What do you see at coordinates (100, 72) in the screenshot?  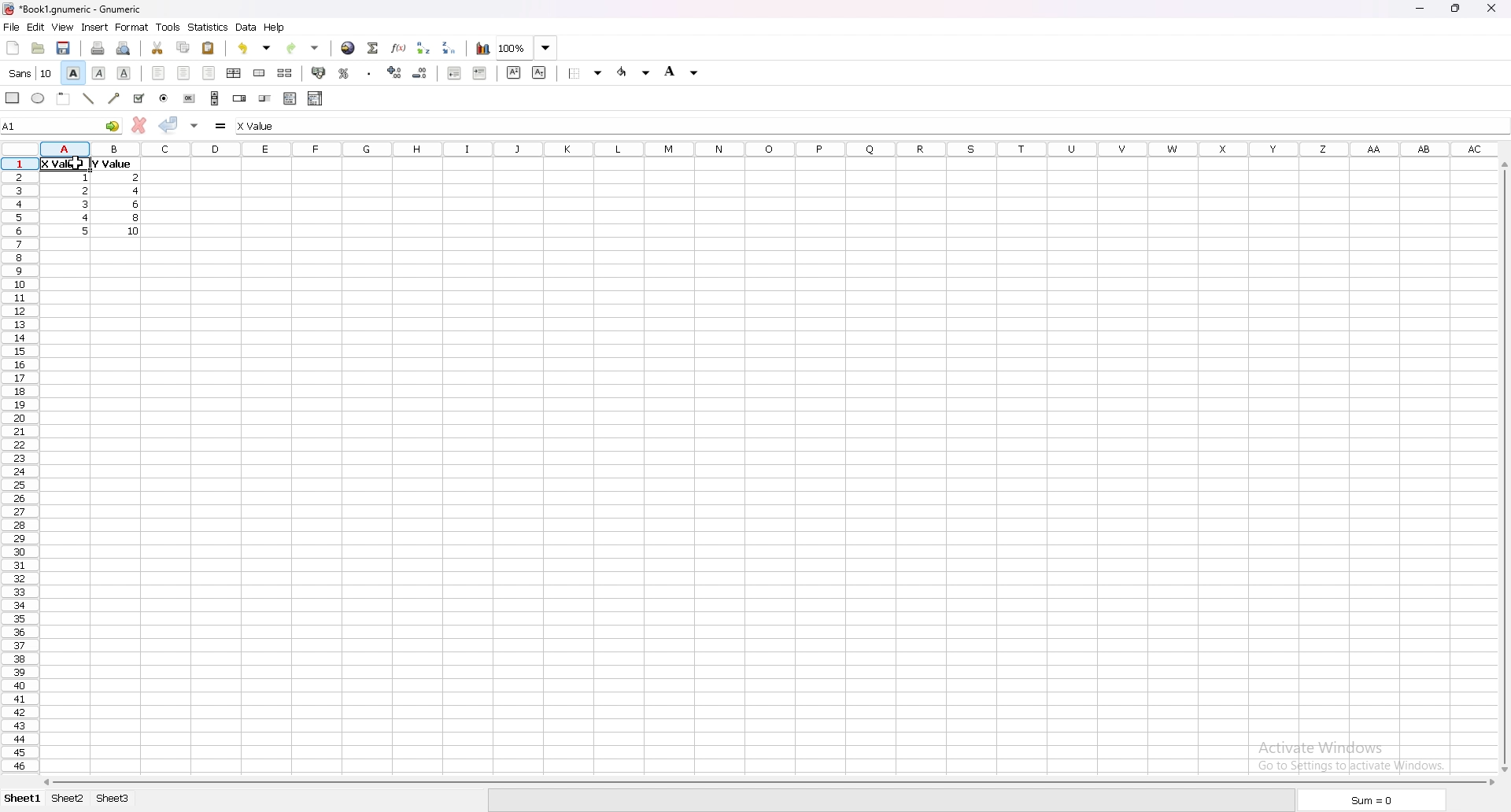 I see `italic` at bounding box center [100, 72].